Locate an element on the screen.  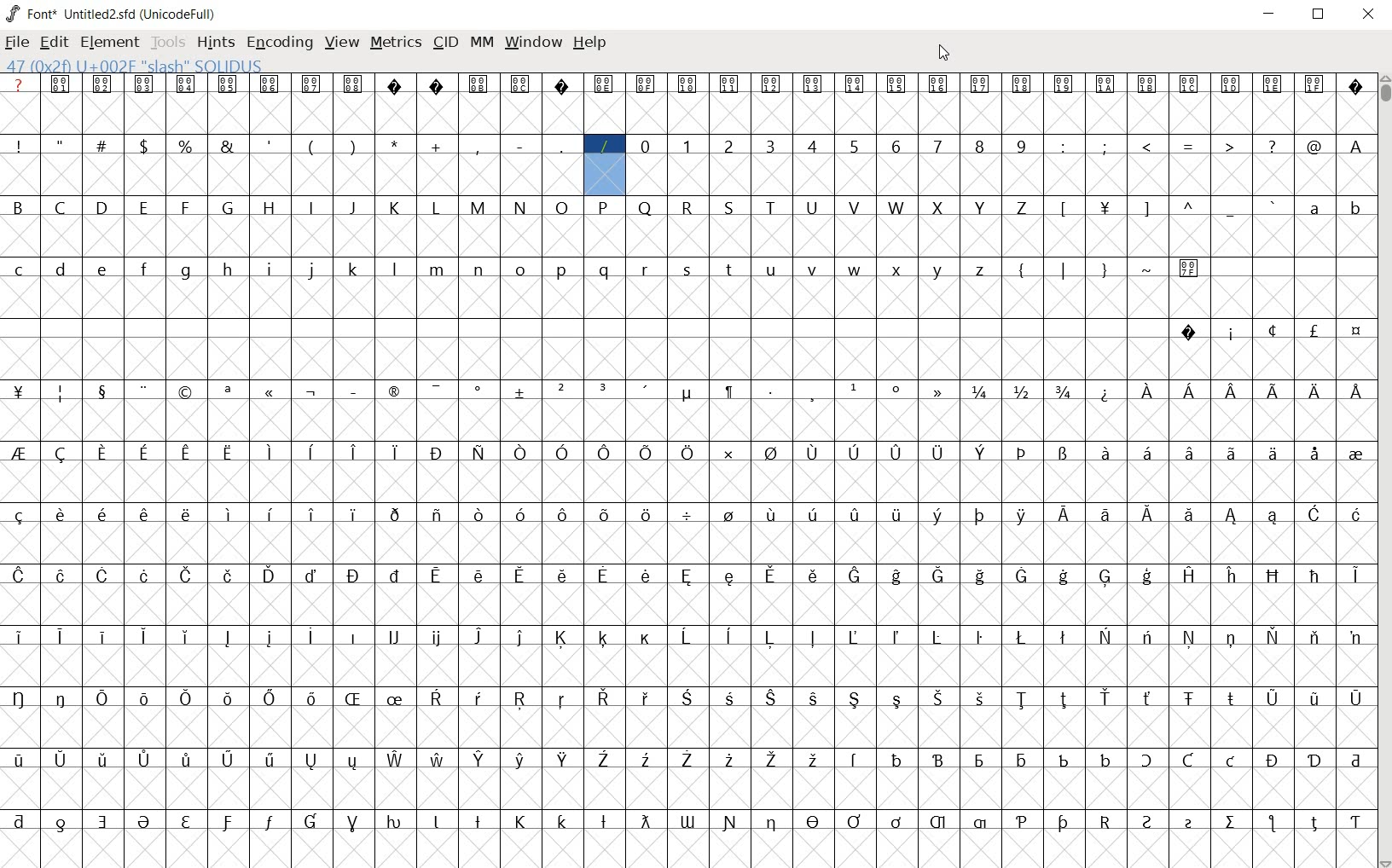
glyph is located at coordinates (1064, 147).